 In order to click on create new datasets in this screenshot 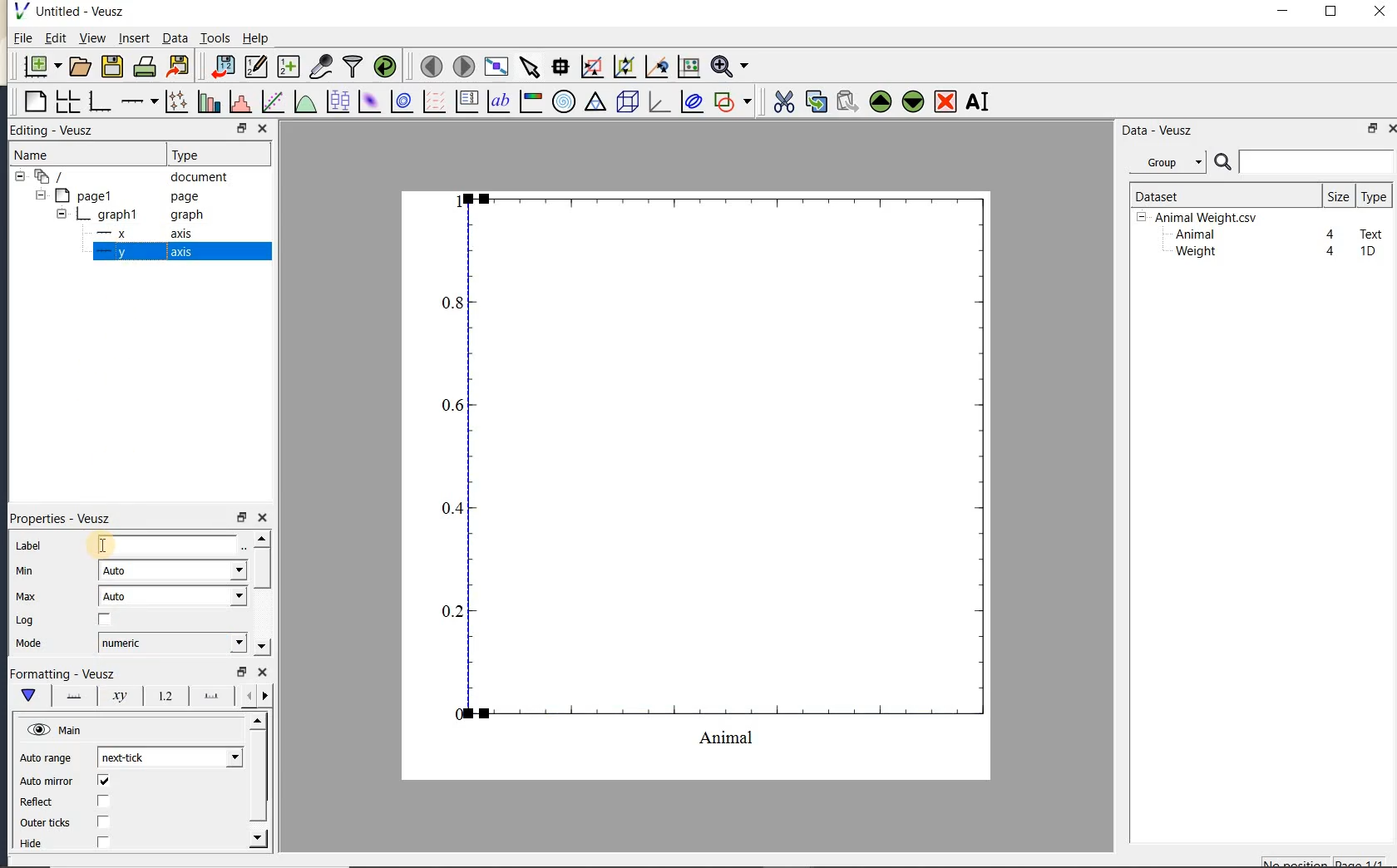, I will do `click(289, 65)`.